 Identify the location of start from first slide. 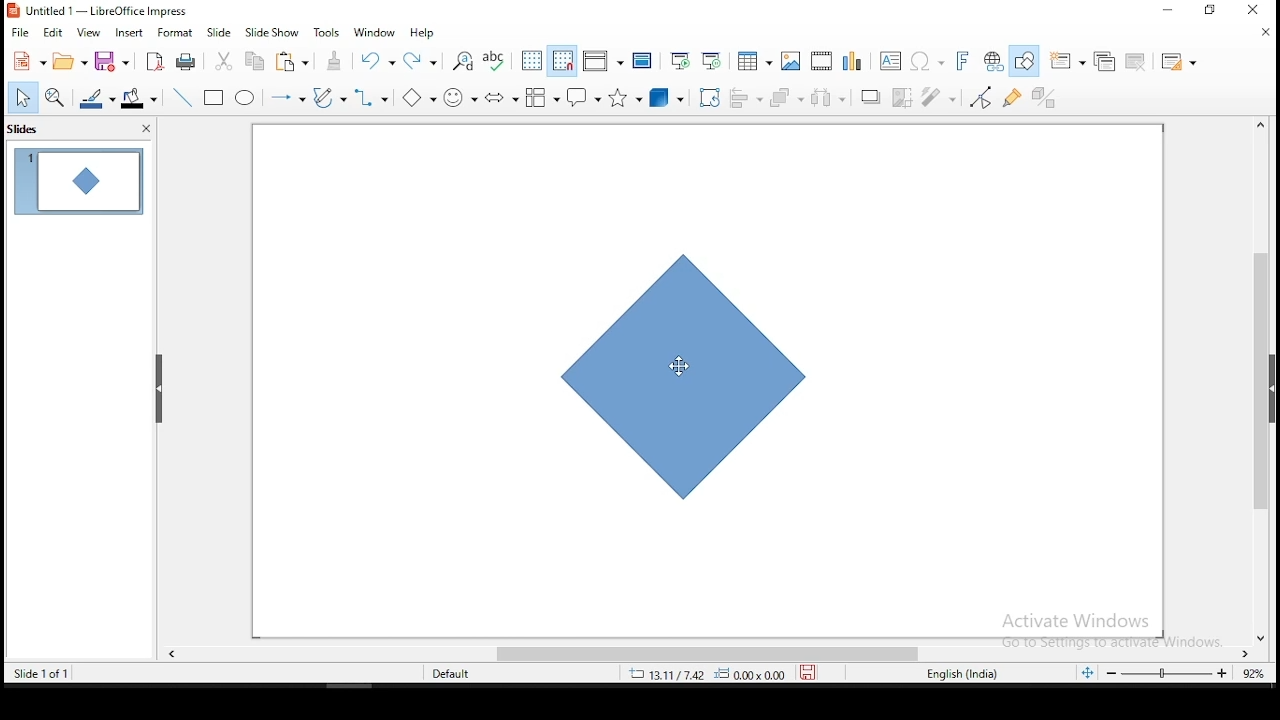
(679, 60).